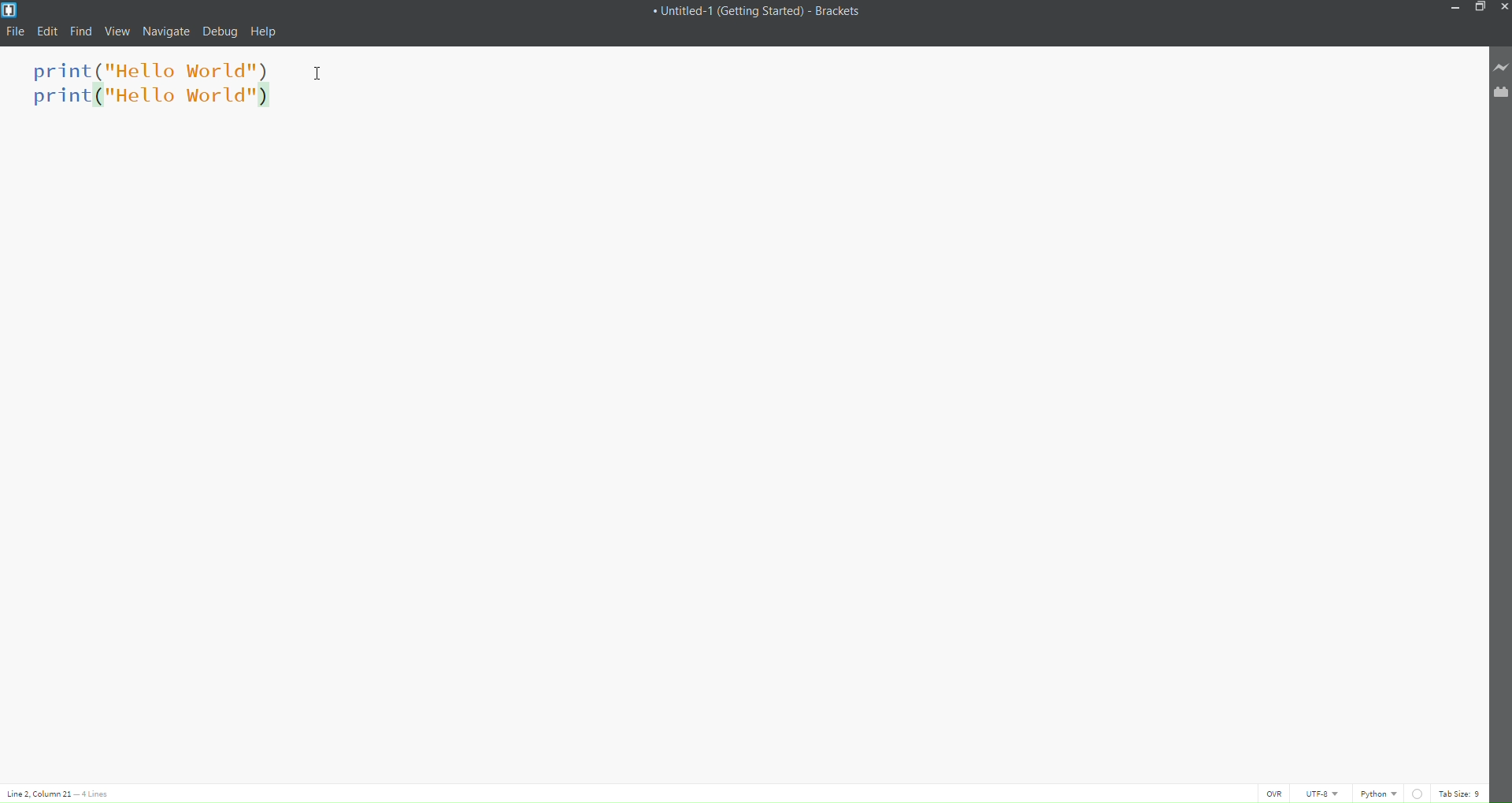  What do you see at coordinates (80, 30) in the screenshot?
I see `find` at bounding box center [80, 30].